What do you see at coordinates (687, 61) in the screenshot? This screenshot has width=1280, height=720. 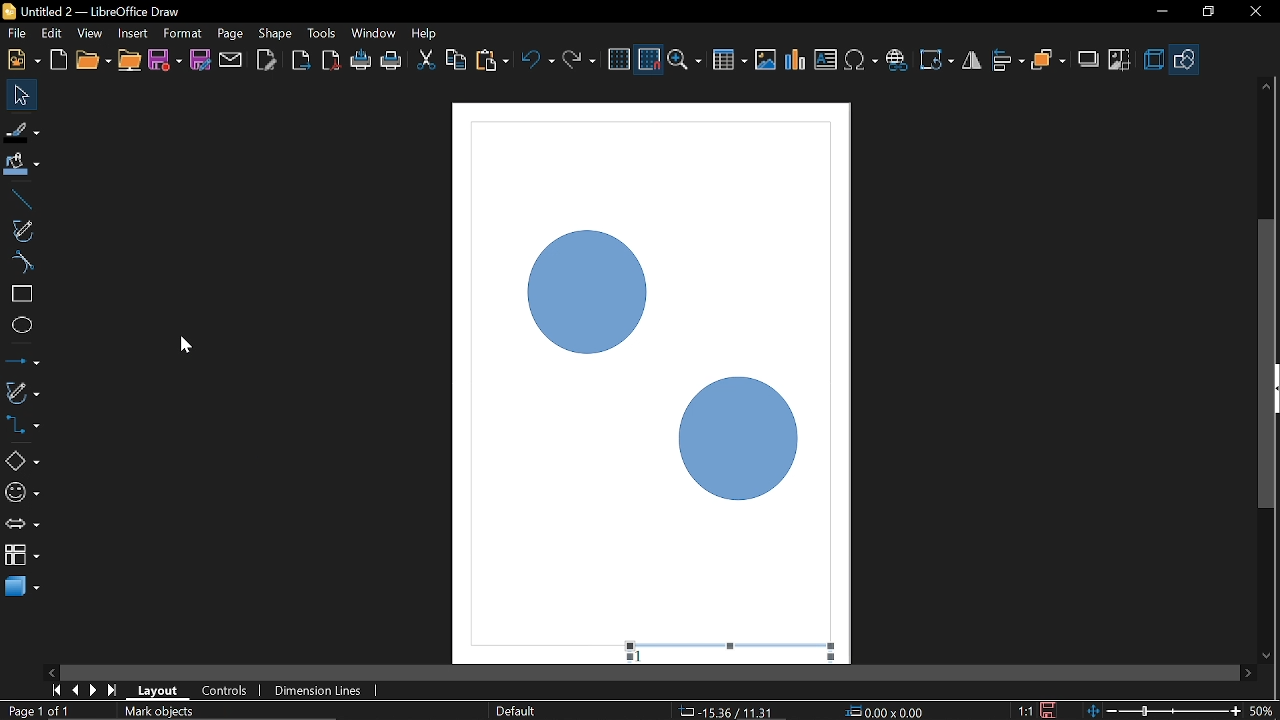 I see `Zoom` at bounding box center [687, 61].